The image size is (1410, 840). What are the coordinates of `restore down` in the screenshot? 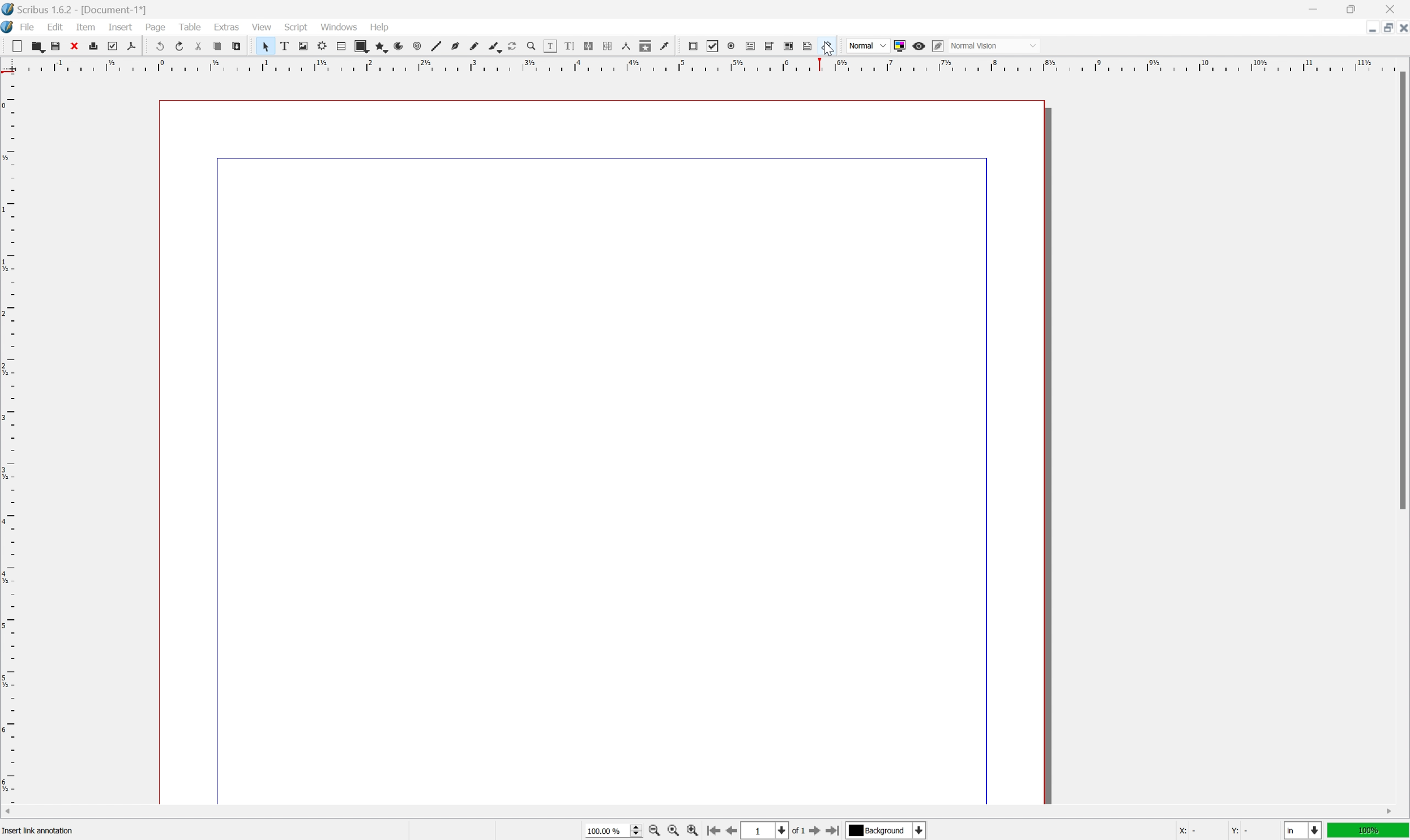 It's located at (1353, 8).